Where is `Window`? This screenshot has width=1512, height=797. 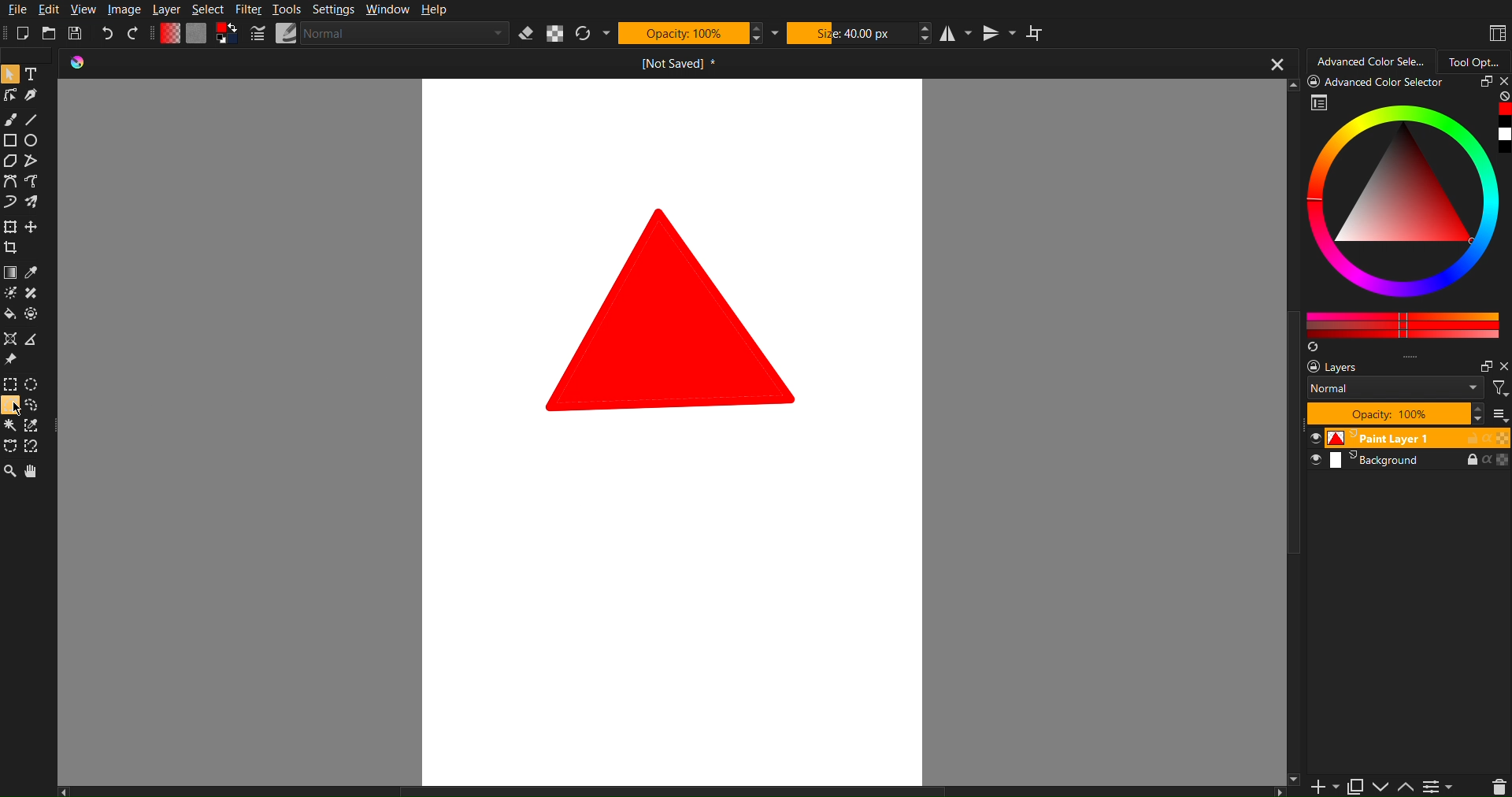
Window is located at coordinates (387, 11).